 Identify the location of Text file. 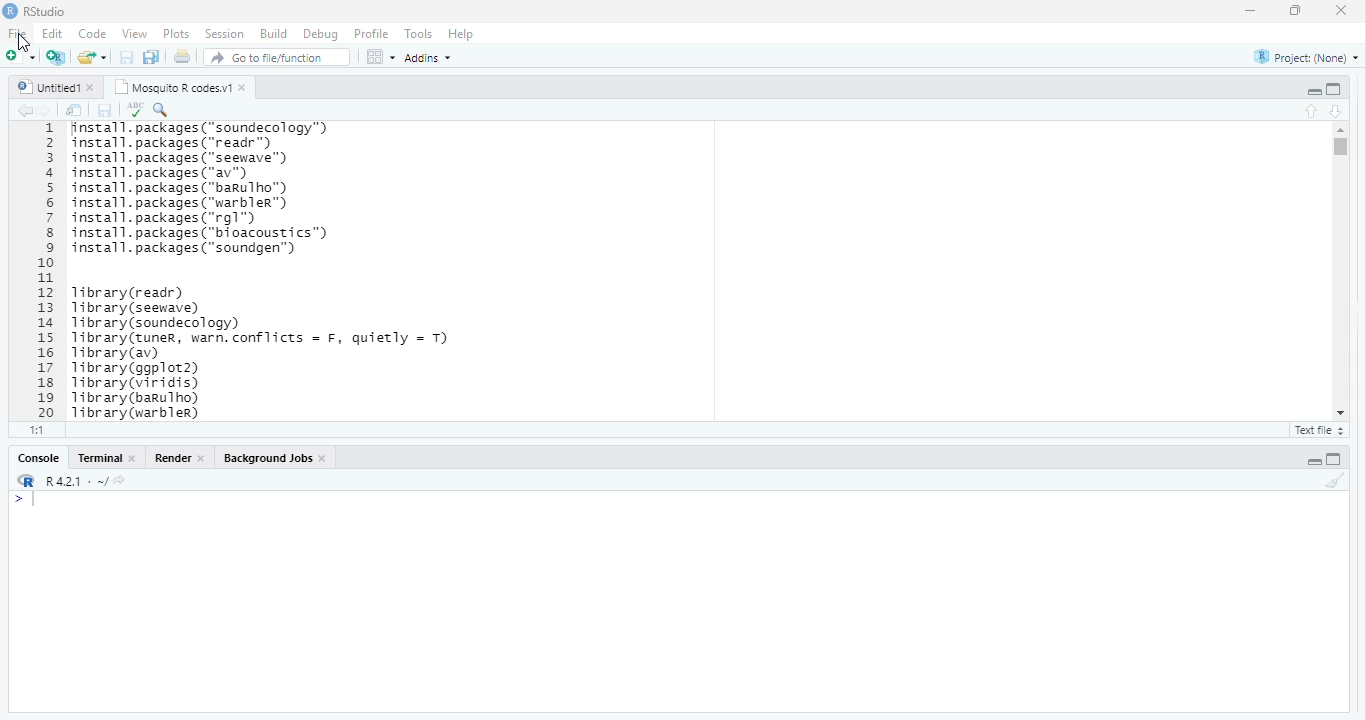
(1322, 431).